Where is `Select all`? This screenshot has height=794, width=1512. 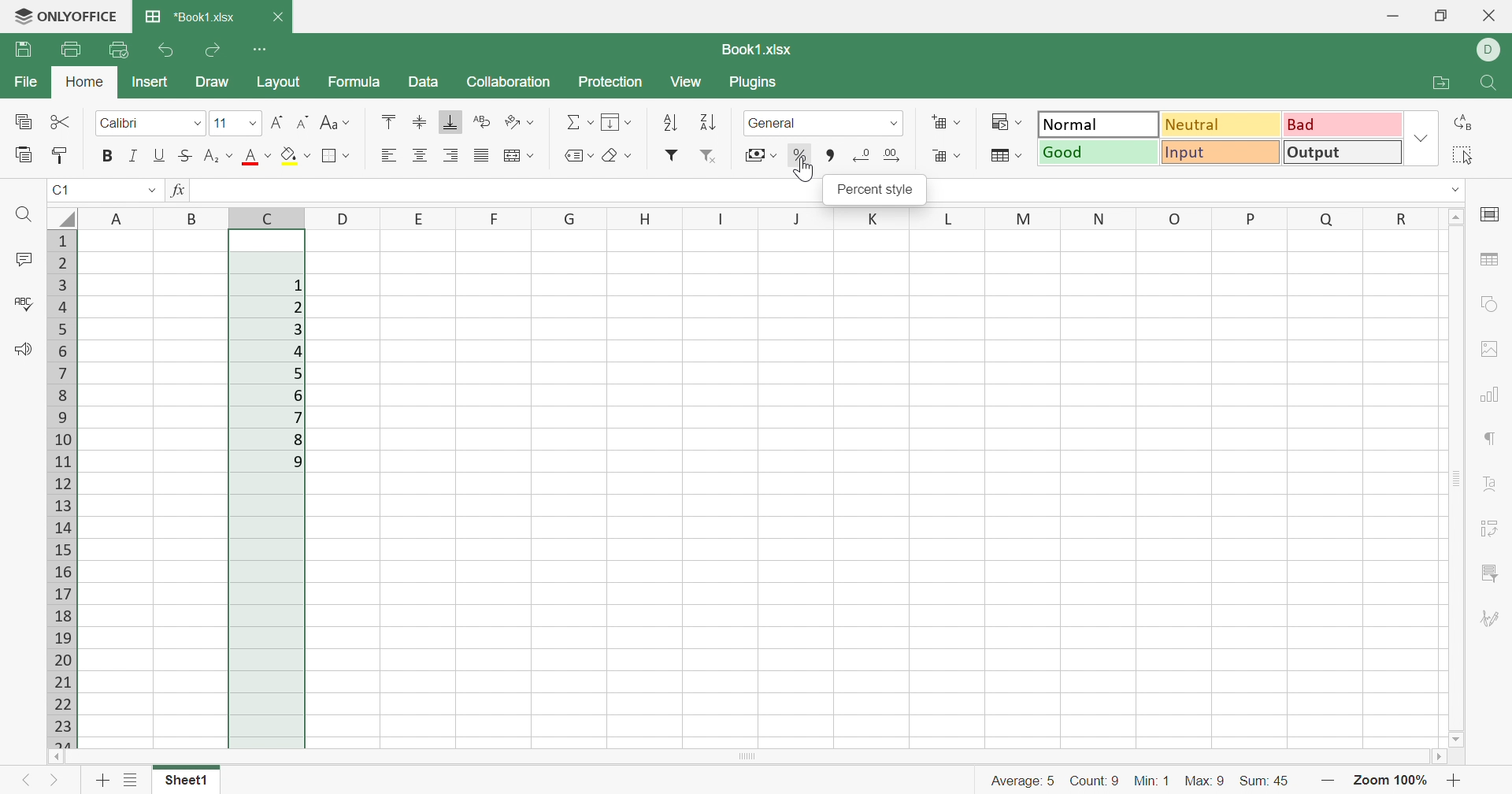
Select all is located at coordinates (62, 216).